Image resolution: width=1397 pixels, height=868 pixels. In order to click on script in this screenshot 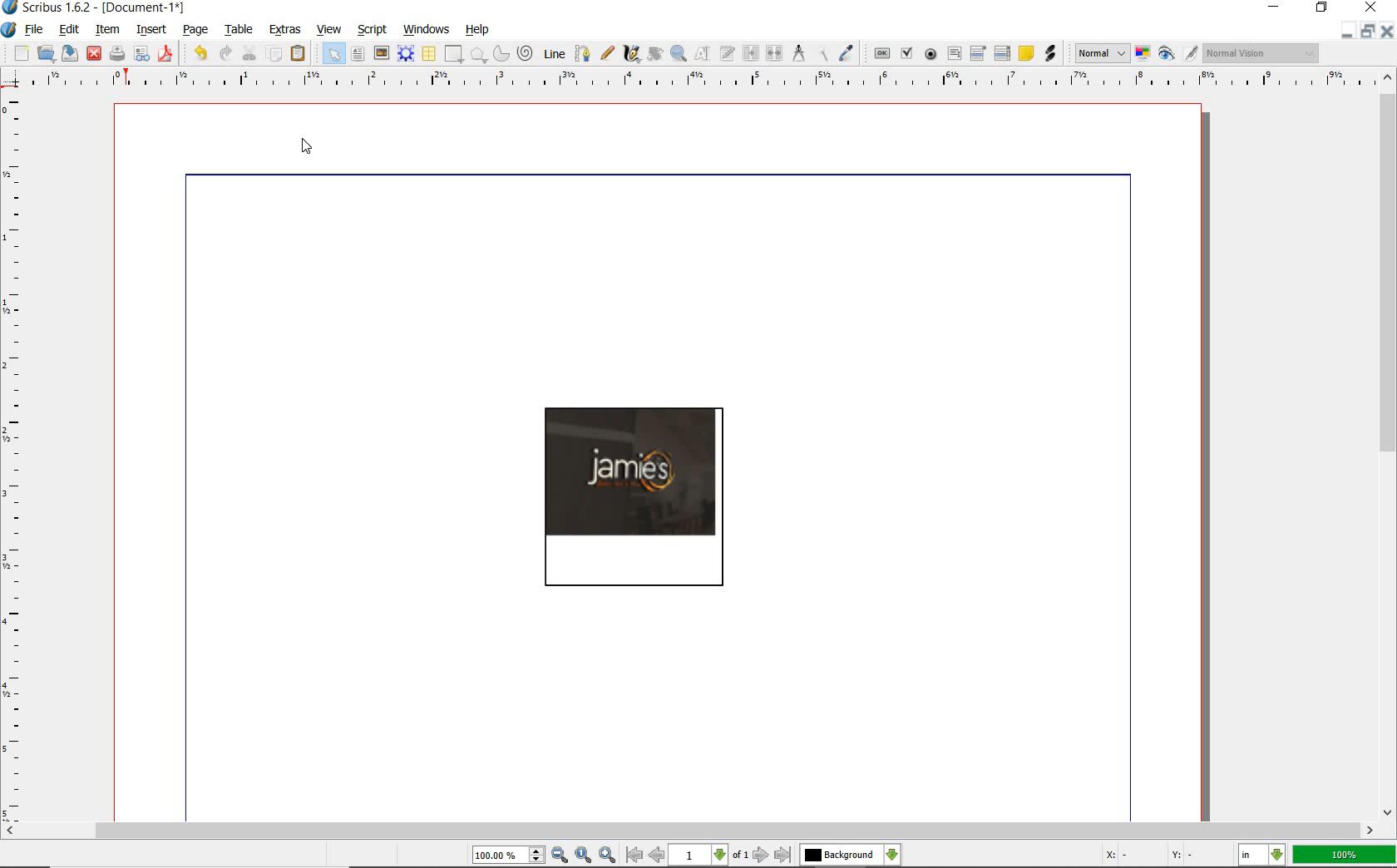, I will do `click(373, 29)`.